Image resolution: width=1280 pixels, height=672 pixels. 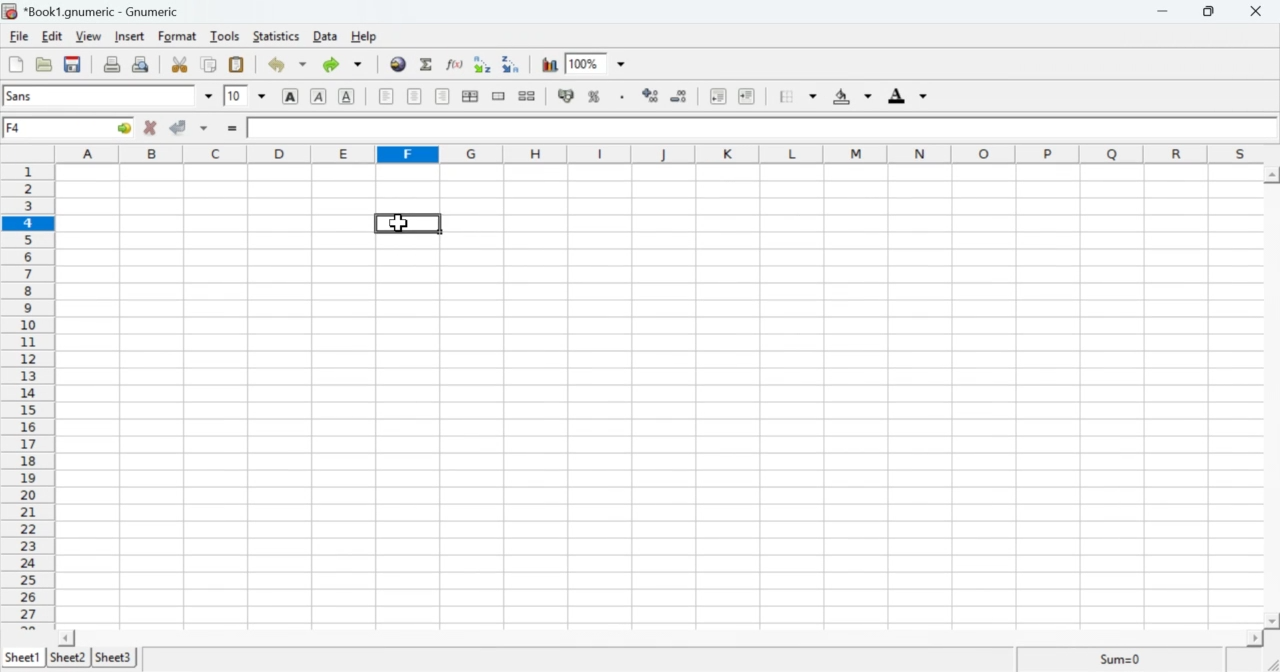 I want to click on Minimise, so click(x=1160, y=12).